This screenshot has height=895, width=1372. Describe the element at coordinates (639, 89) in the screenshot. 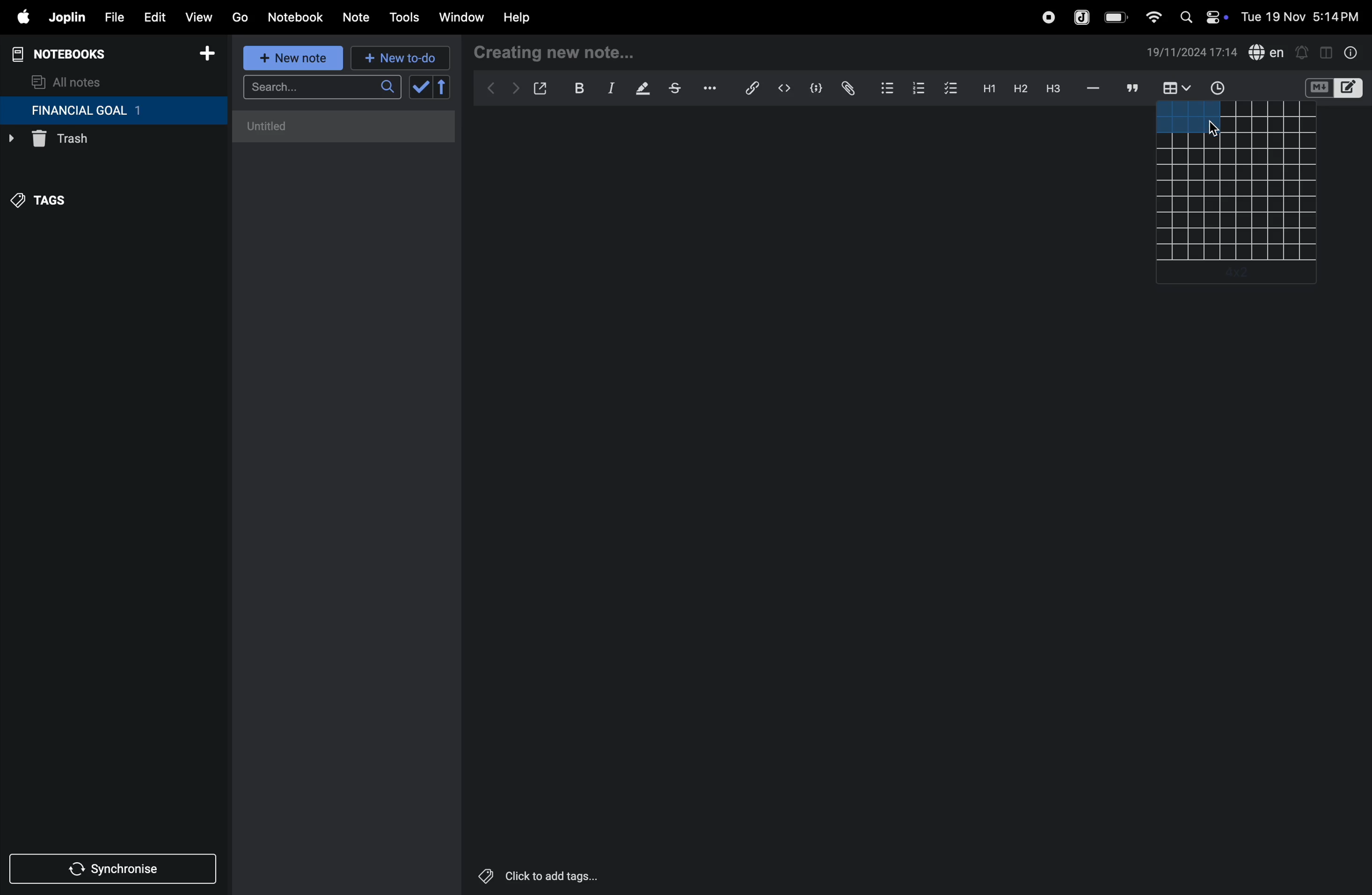

I see `mark` at that location.